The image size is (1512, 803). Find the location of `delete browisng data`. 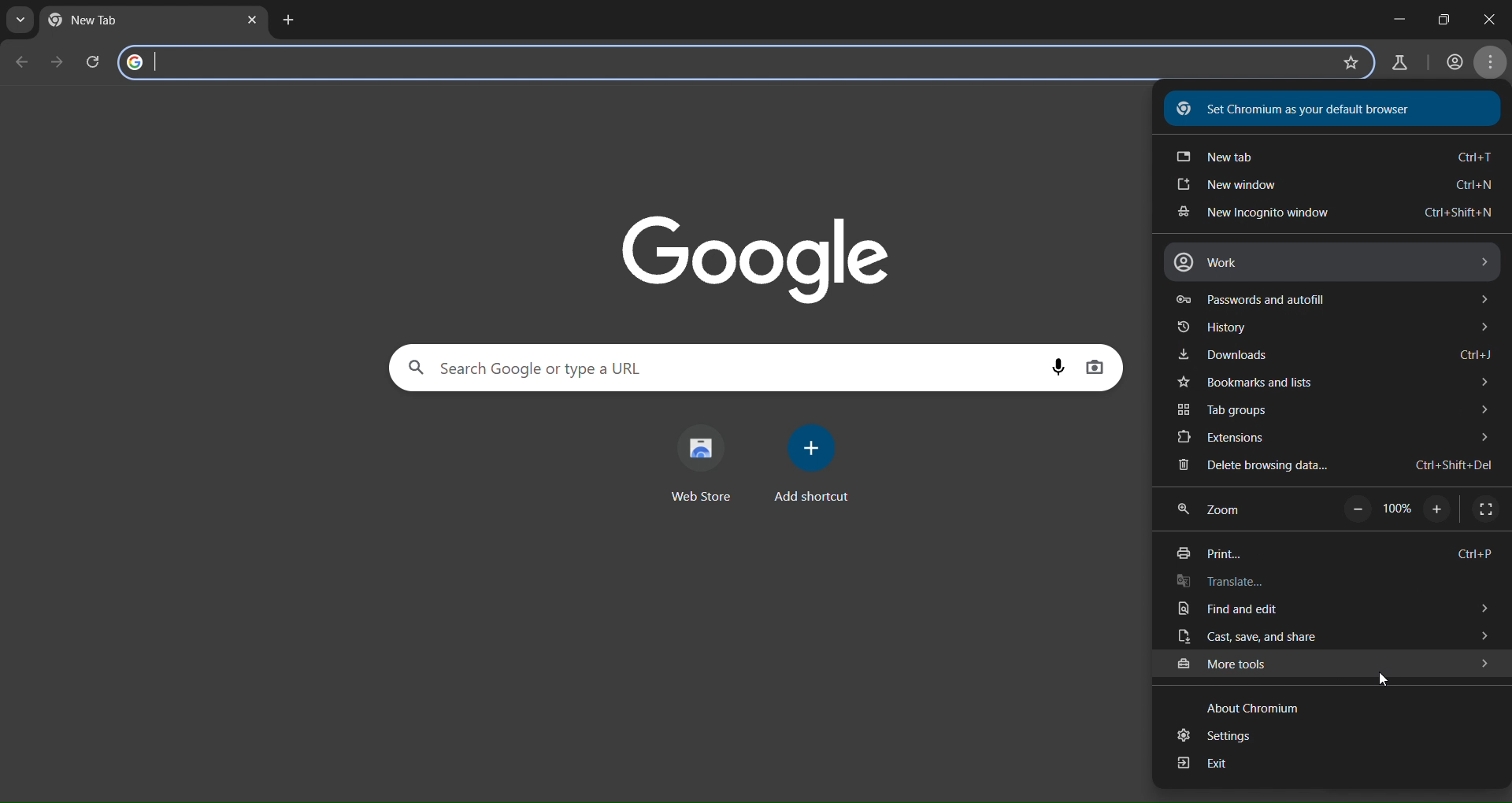

delete browisng data is located at coordinates (1333, 466).